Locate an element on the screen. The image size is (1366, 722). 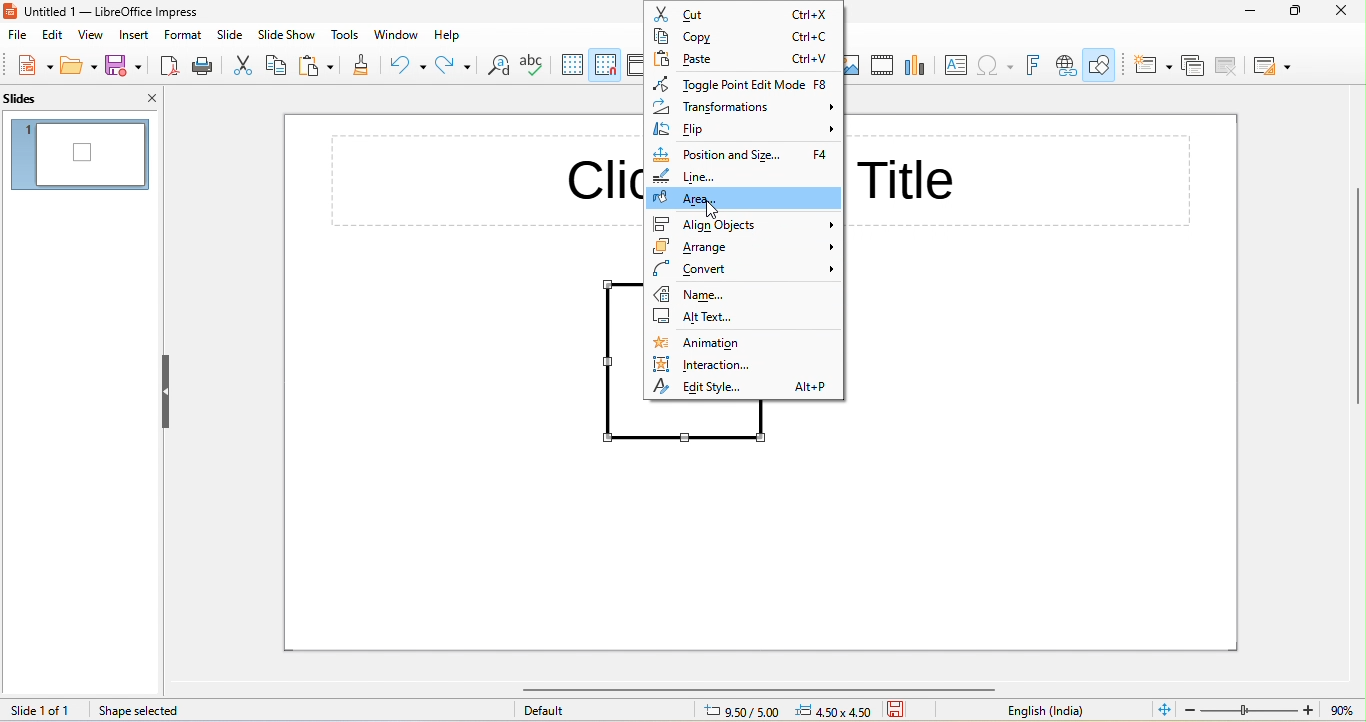
horizontal scroll is located at coordinates (741, 689).